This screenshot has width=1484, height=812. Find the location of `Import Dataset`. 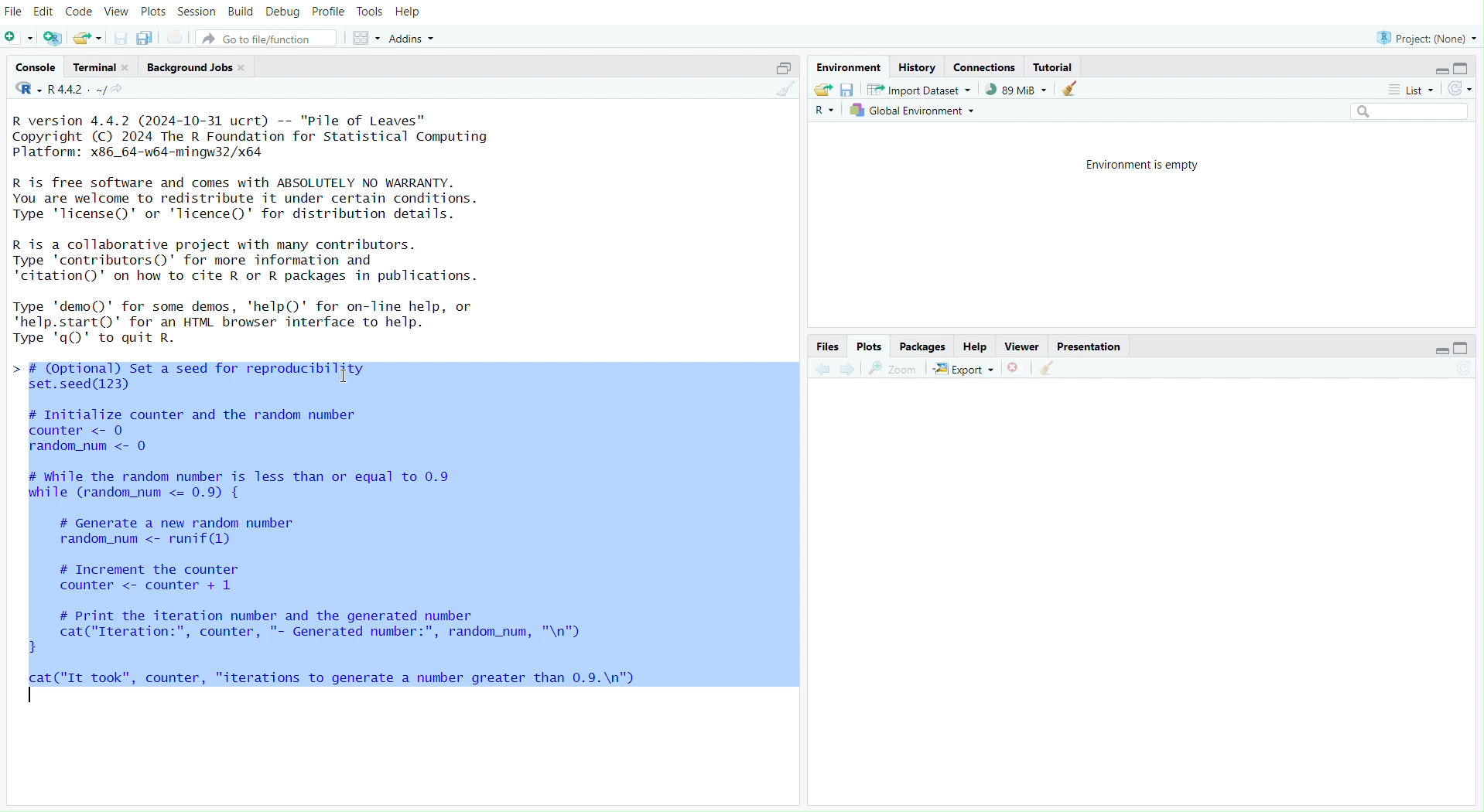

Import Dataset is located at coordinates (922, 90).